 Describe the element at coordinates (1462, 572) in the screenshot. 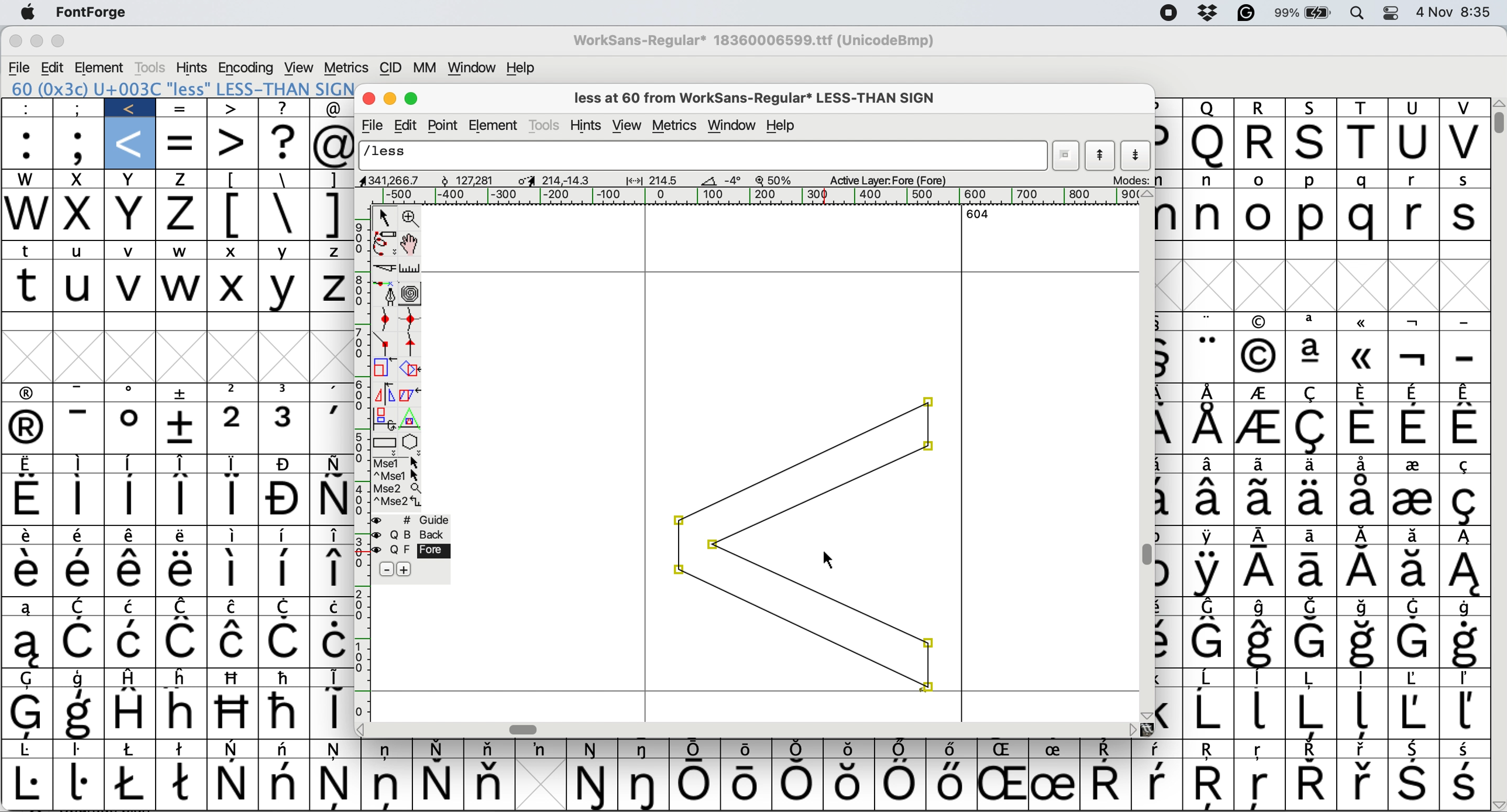

I see `Symbol` at that location.